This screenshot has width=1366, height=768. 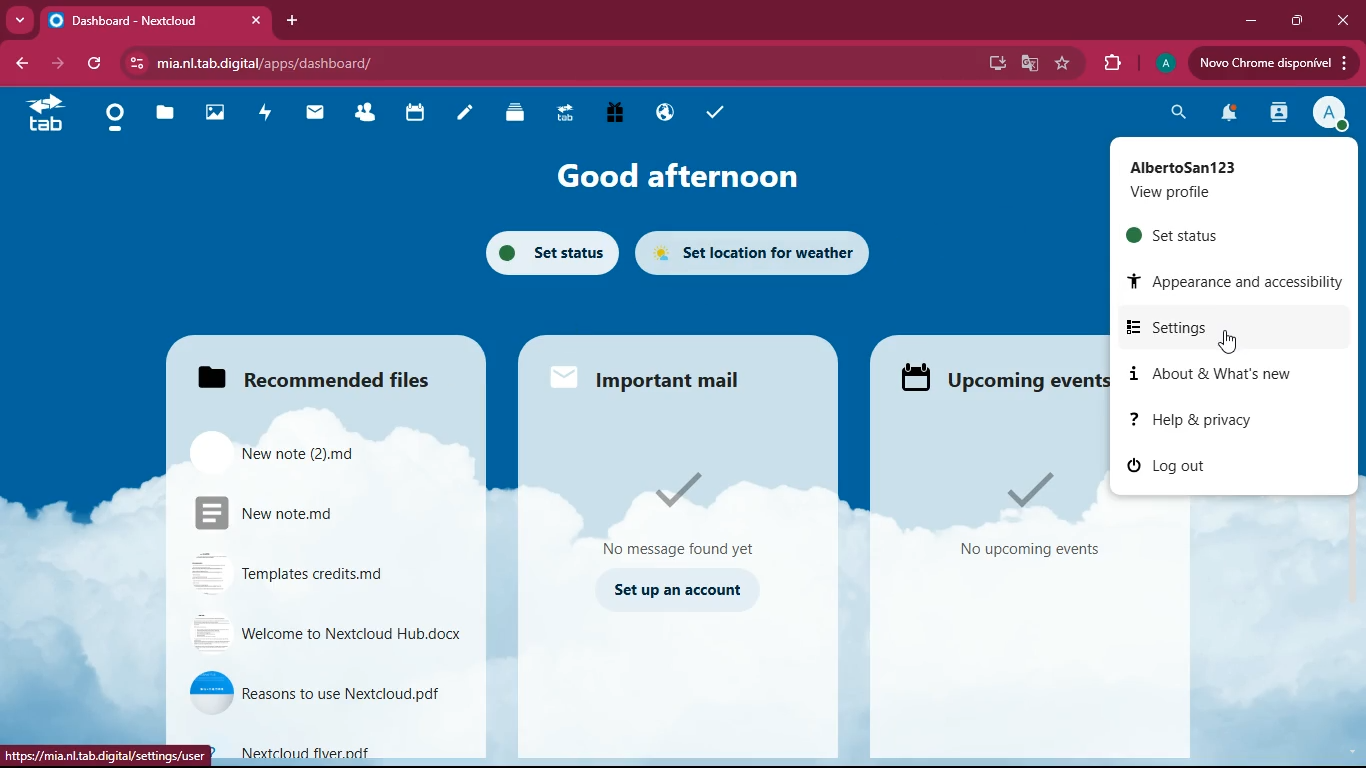 I want to click on file, so click(x=332, y=633).